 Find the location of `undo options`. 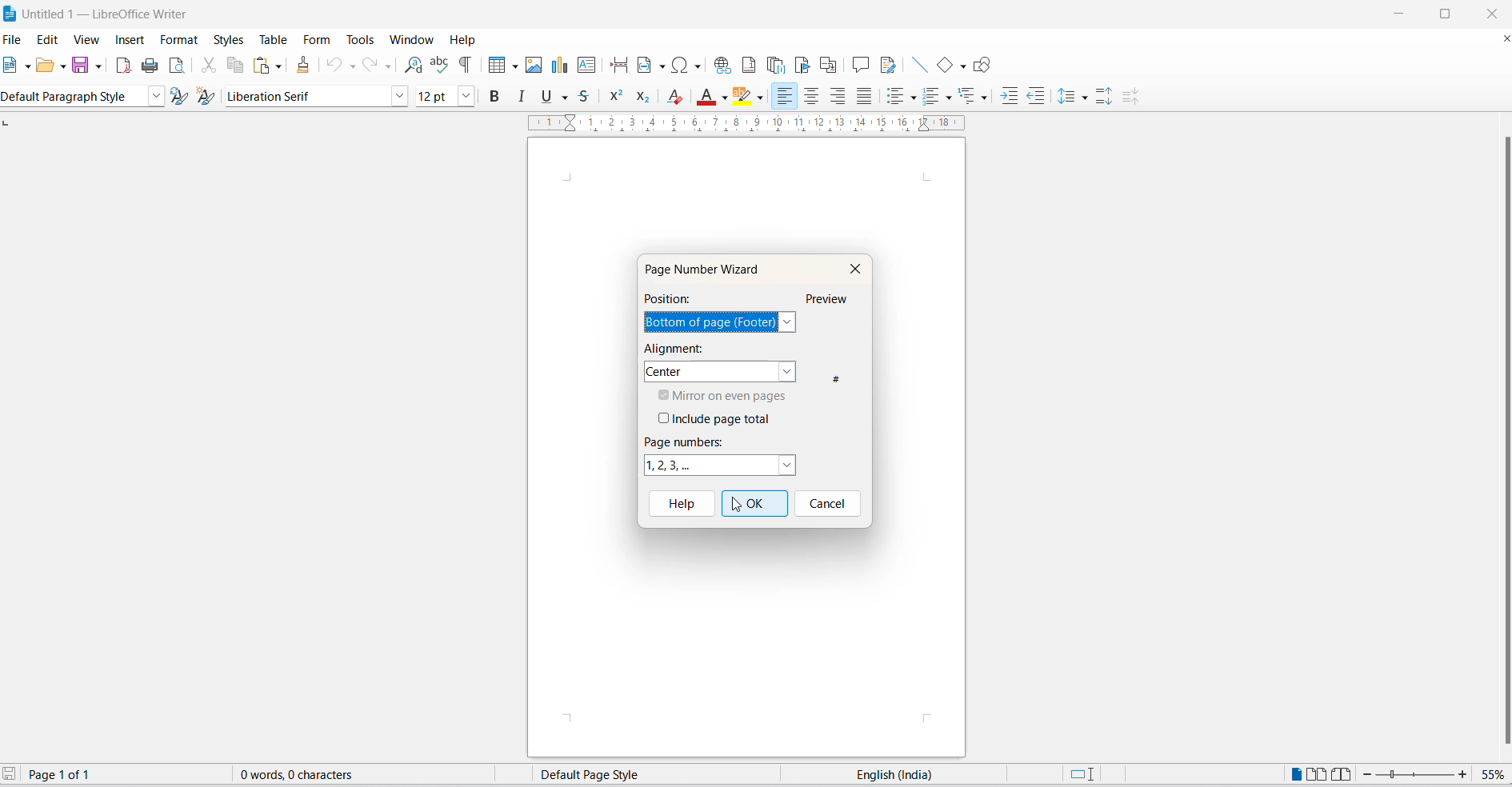

undo options is located at coordinates (353, 67).